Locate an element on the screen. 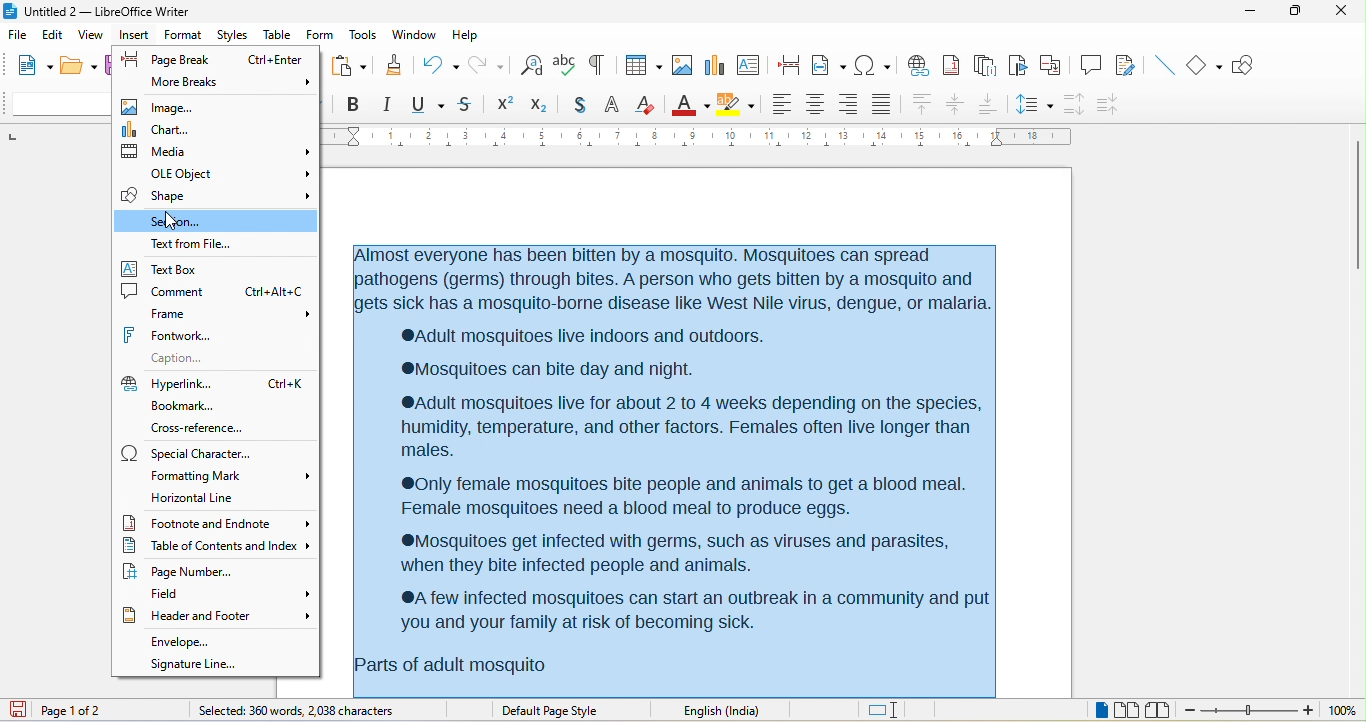 The image size is (1366, 722). shape is located at coordinates (214, 196).